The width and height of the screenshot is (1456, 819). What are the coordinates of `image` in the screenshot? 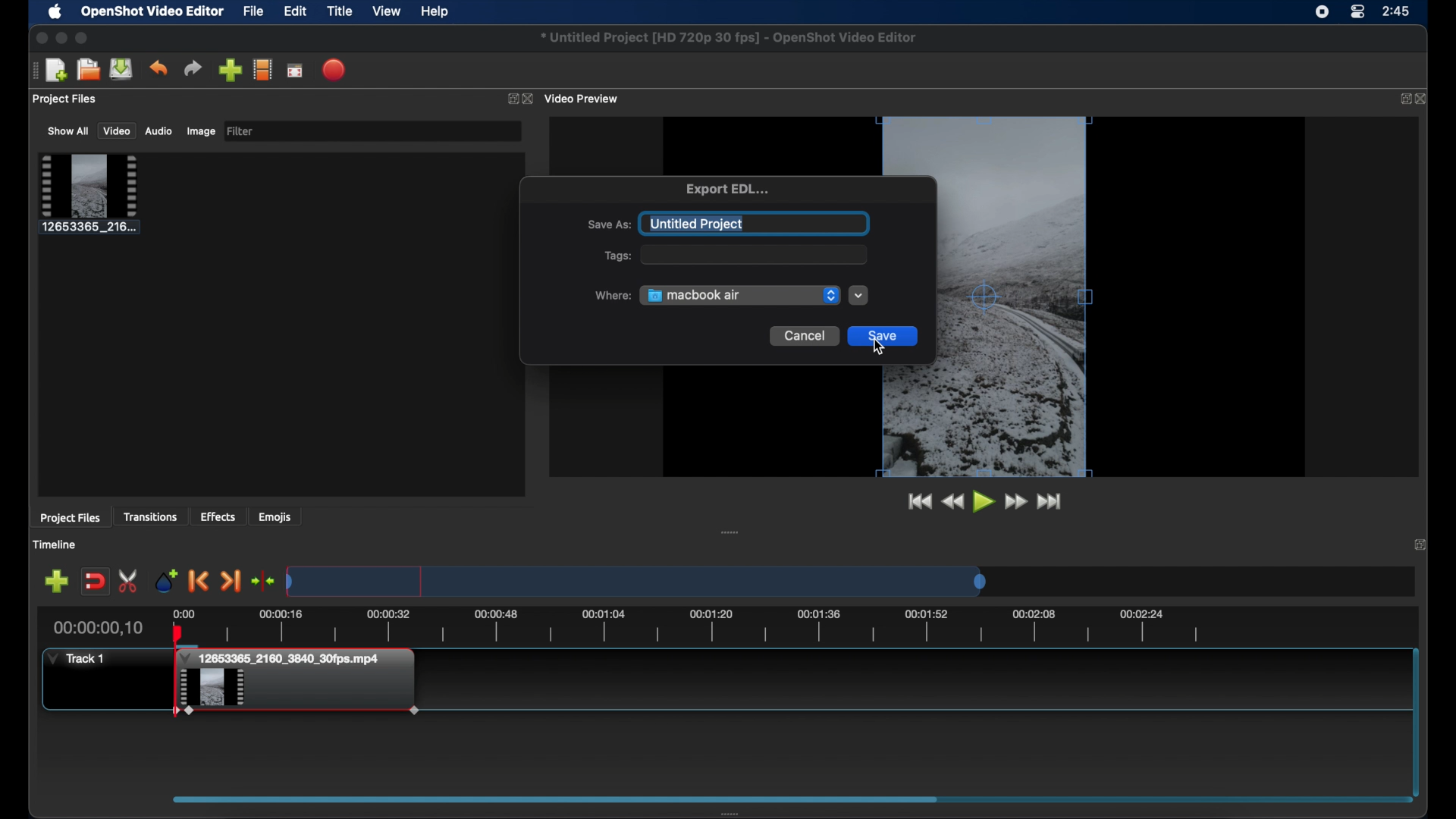 It's located at (199, 131).